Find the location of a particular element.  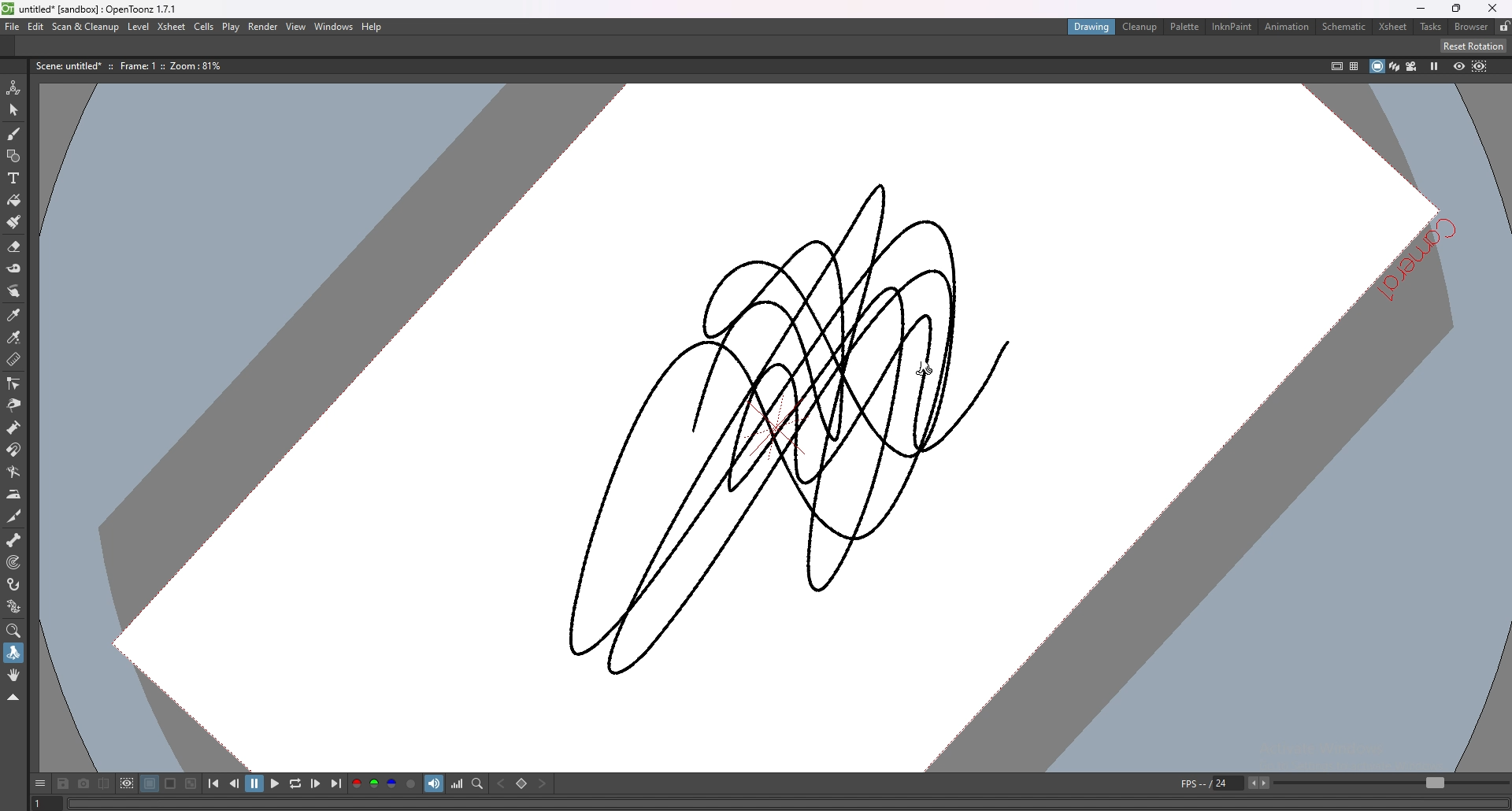

zoom is located at coordinates (13, 631).